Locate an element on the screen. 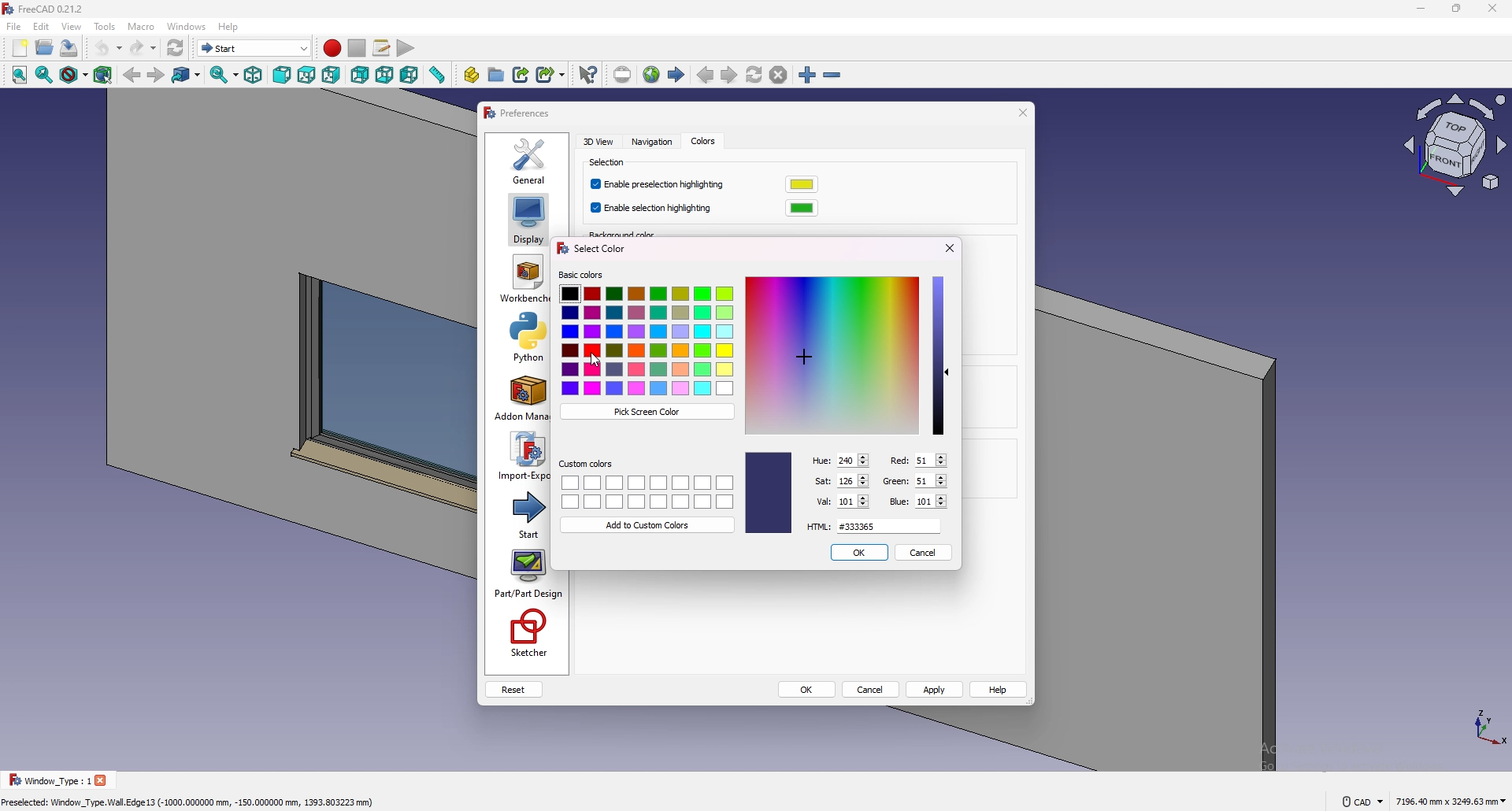 The width and height of the screenshot is (1512, 811). cursor is located at coordinates (596, 360).